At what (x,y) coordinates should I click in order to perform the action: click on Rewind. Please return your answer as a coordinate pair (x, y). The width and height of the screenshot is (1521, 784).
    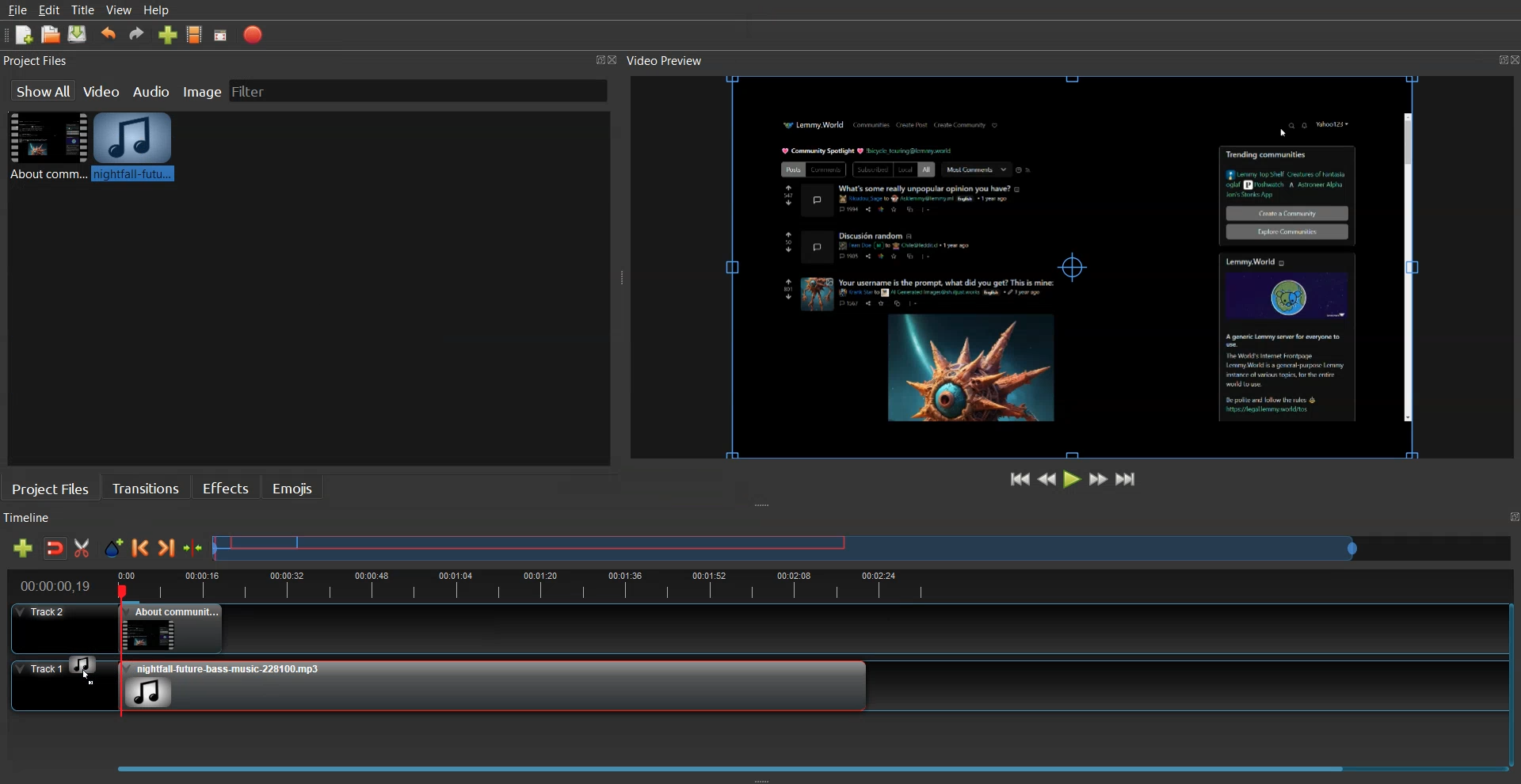
    Looking at the image, I should click on (1047, 478).